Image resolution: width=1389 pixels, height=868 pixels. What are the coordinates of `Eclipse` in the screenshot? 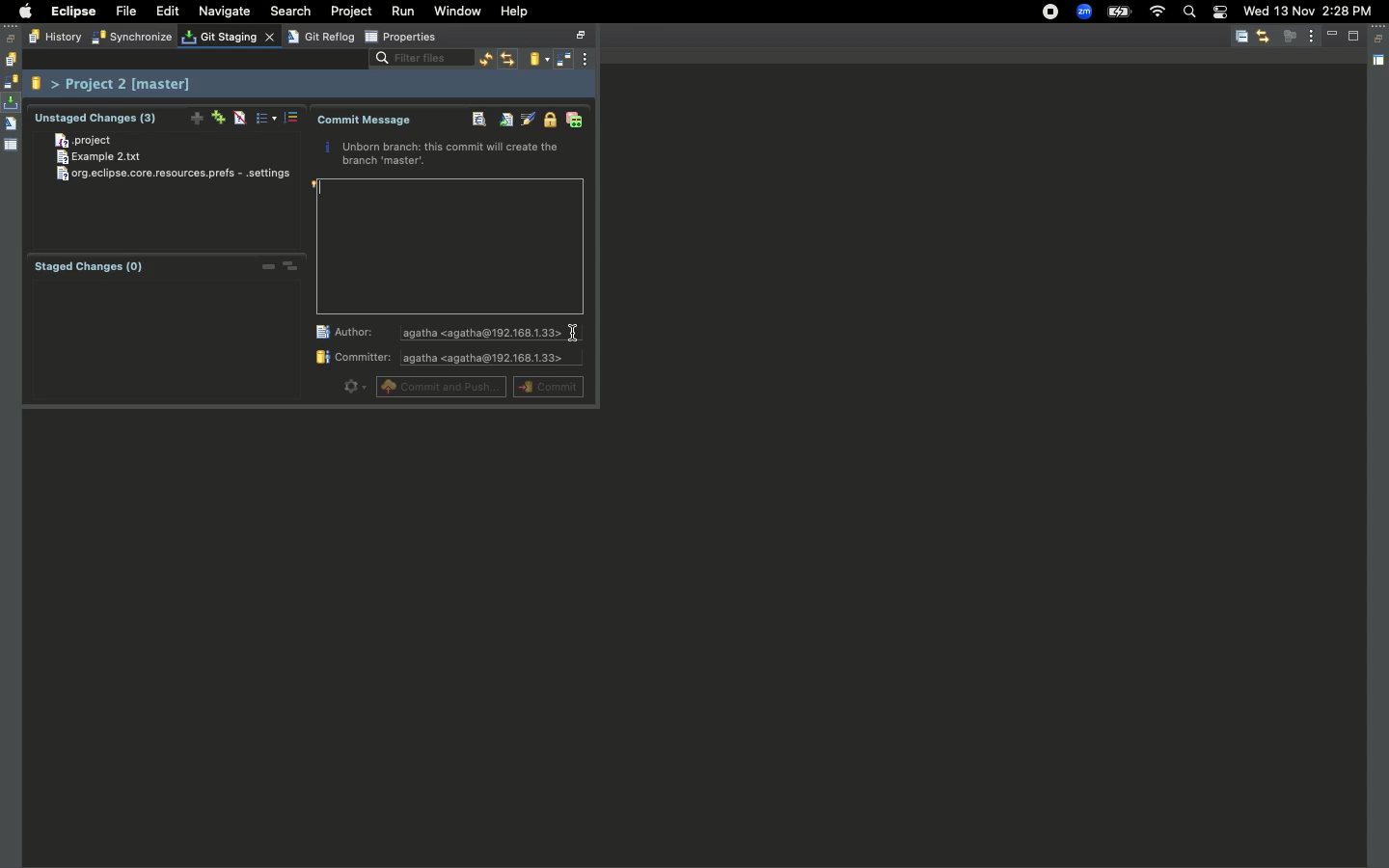 It's located at (72, 12).